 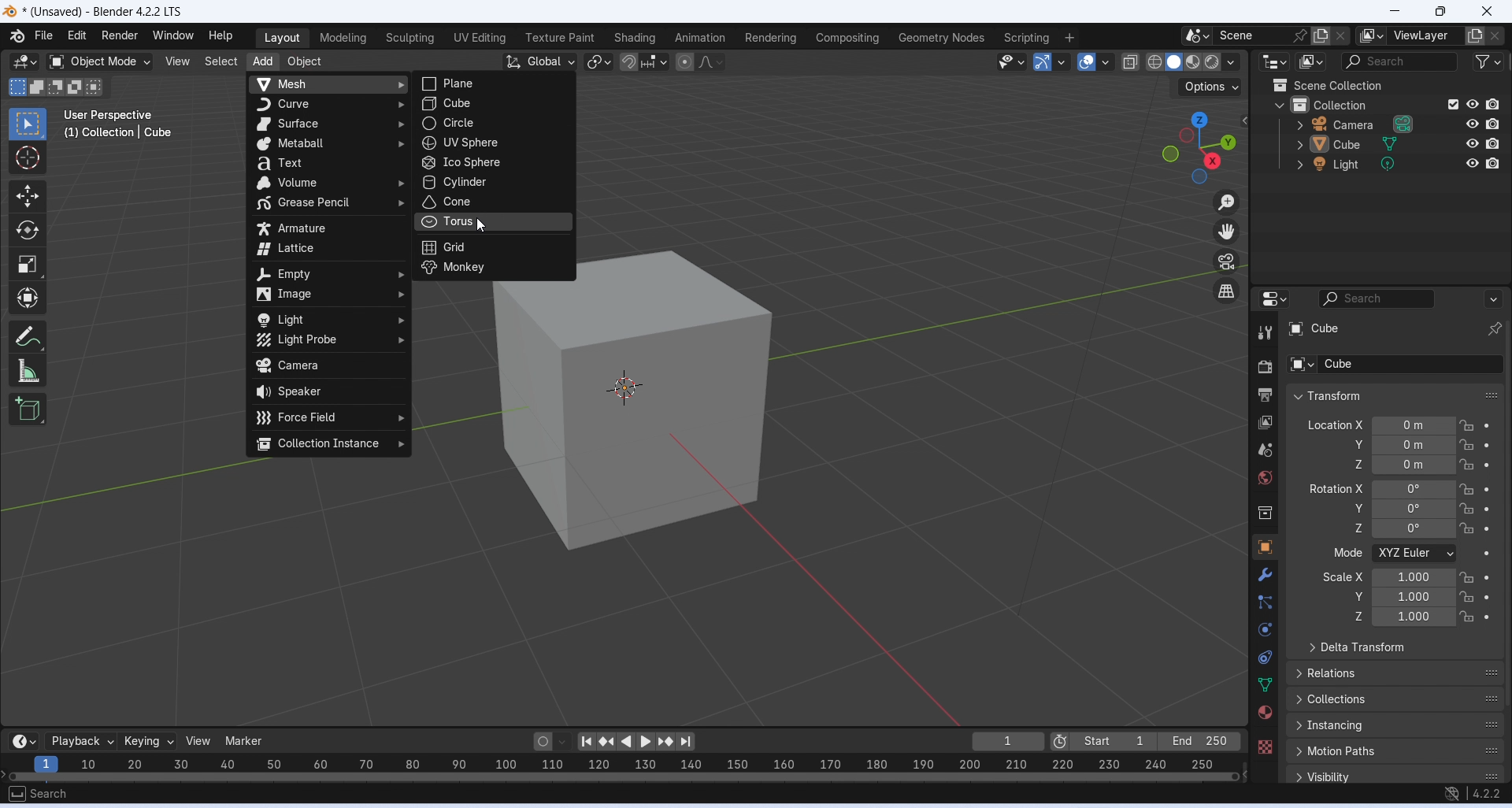 I want to click on Constraints, so click(x=1265, y=657).